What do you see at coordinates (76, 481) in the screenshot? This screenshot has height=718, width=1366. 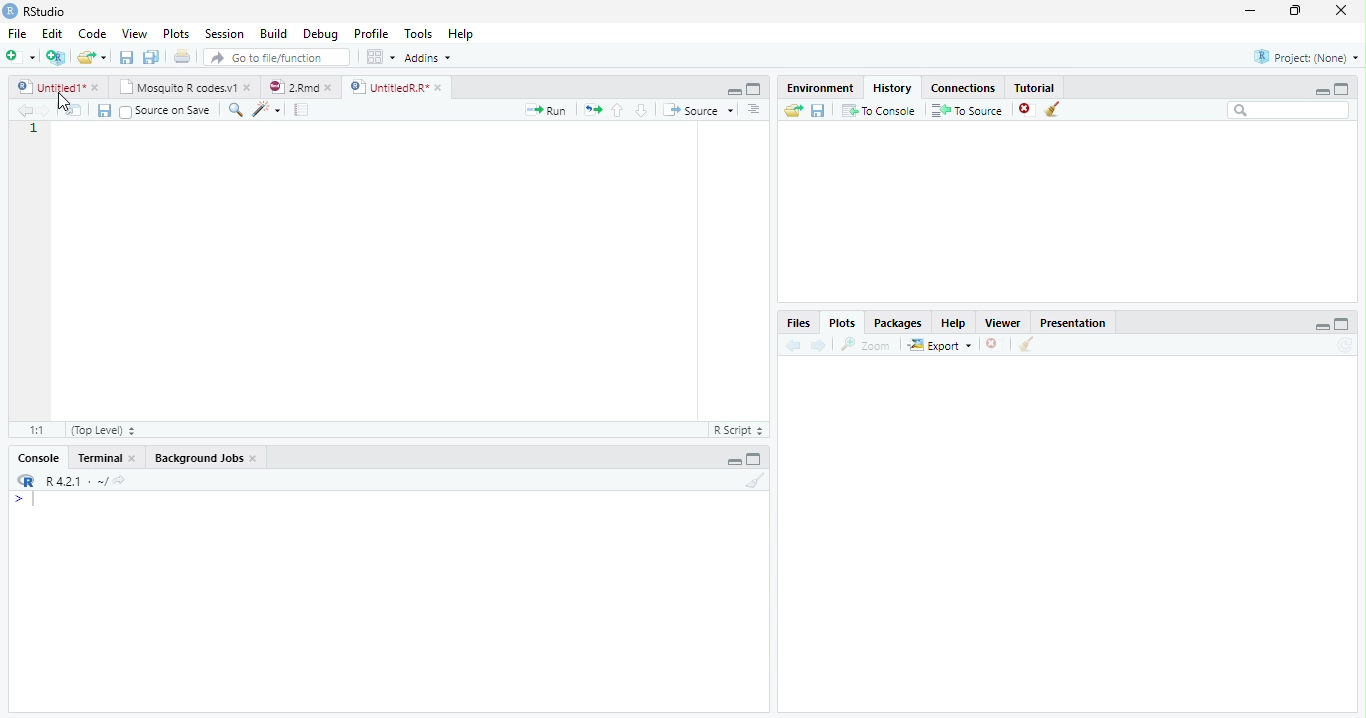 I see `R 4.2.1 . ~/` at bounding box center [76, 481].